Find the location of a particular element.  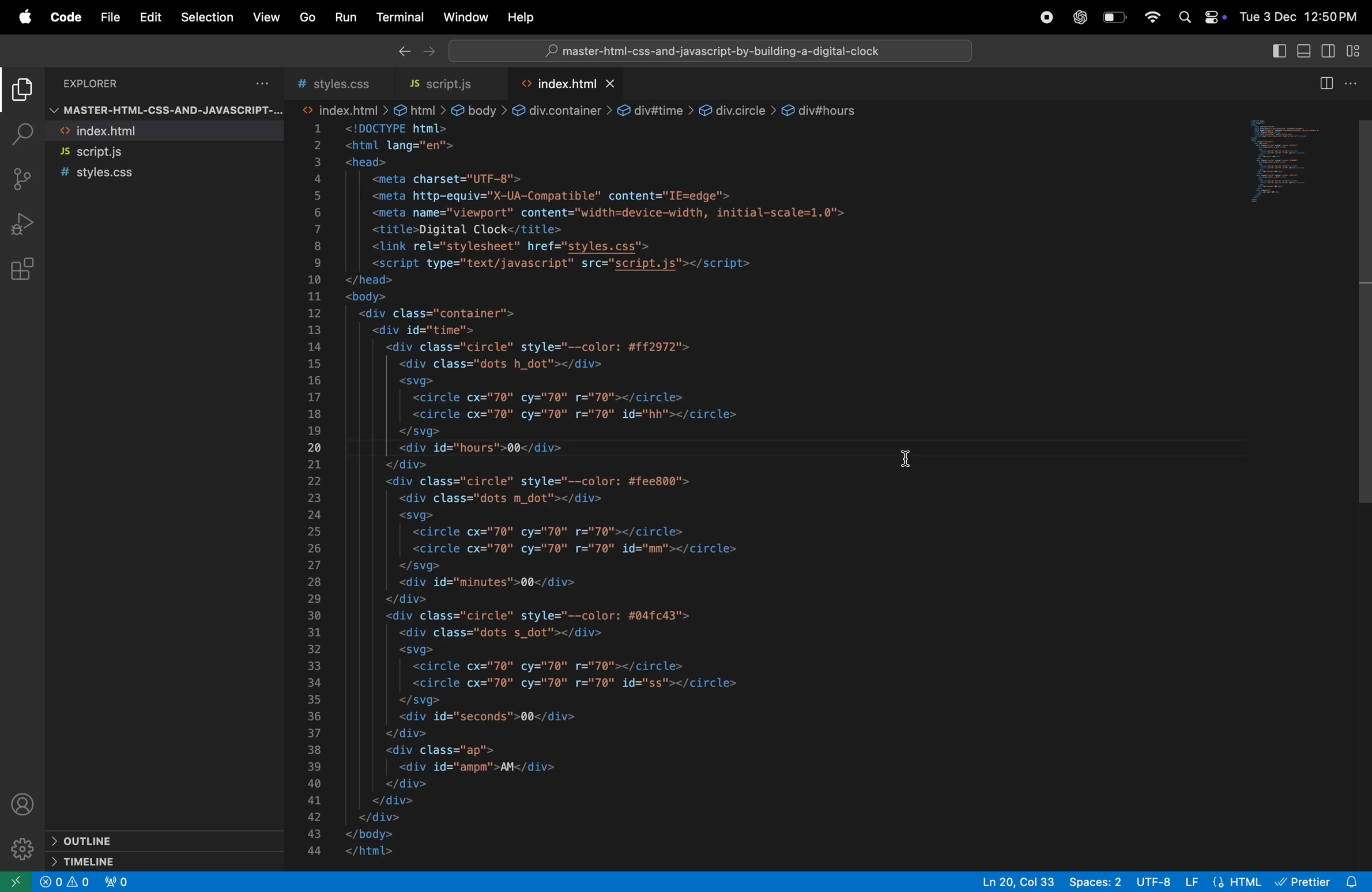

go is located at coordinates (308, 17).